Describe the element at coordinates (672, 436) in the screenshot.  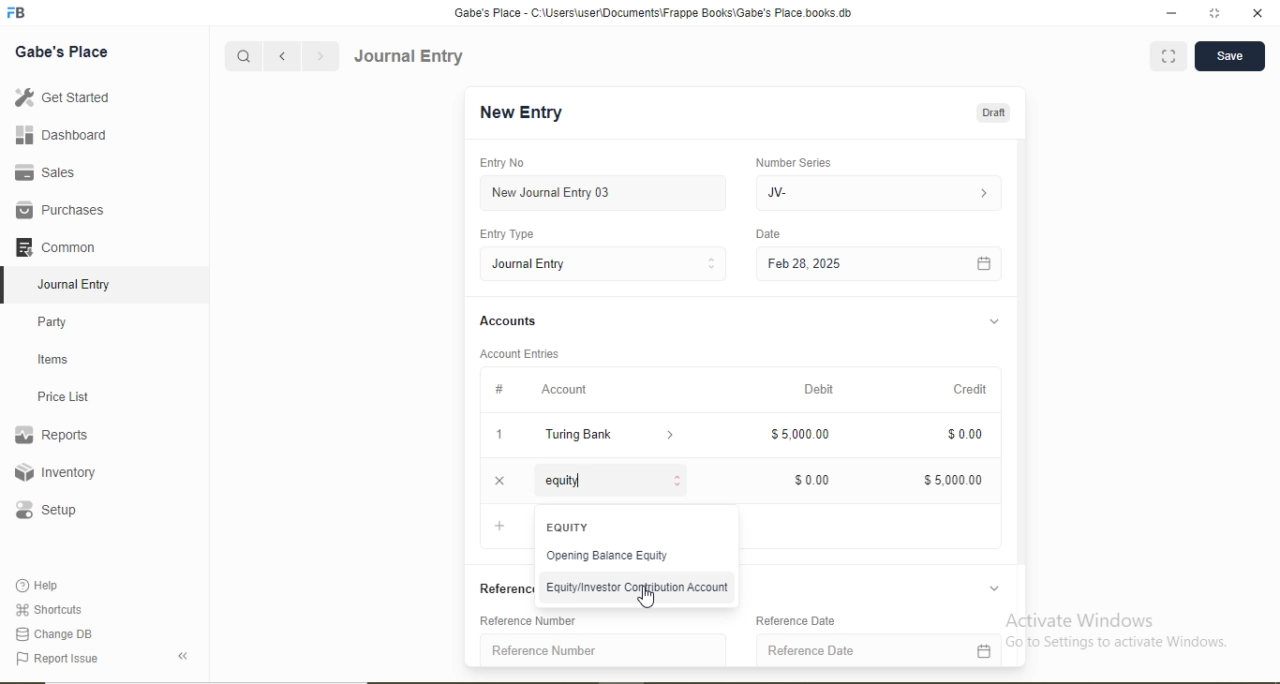
I see `Dropdown` at that location.